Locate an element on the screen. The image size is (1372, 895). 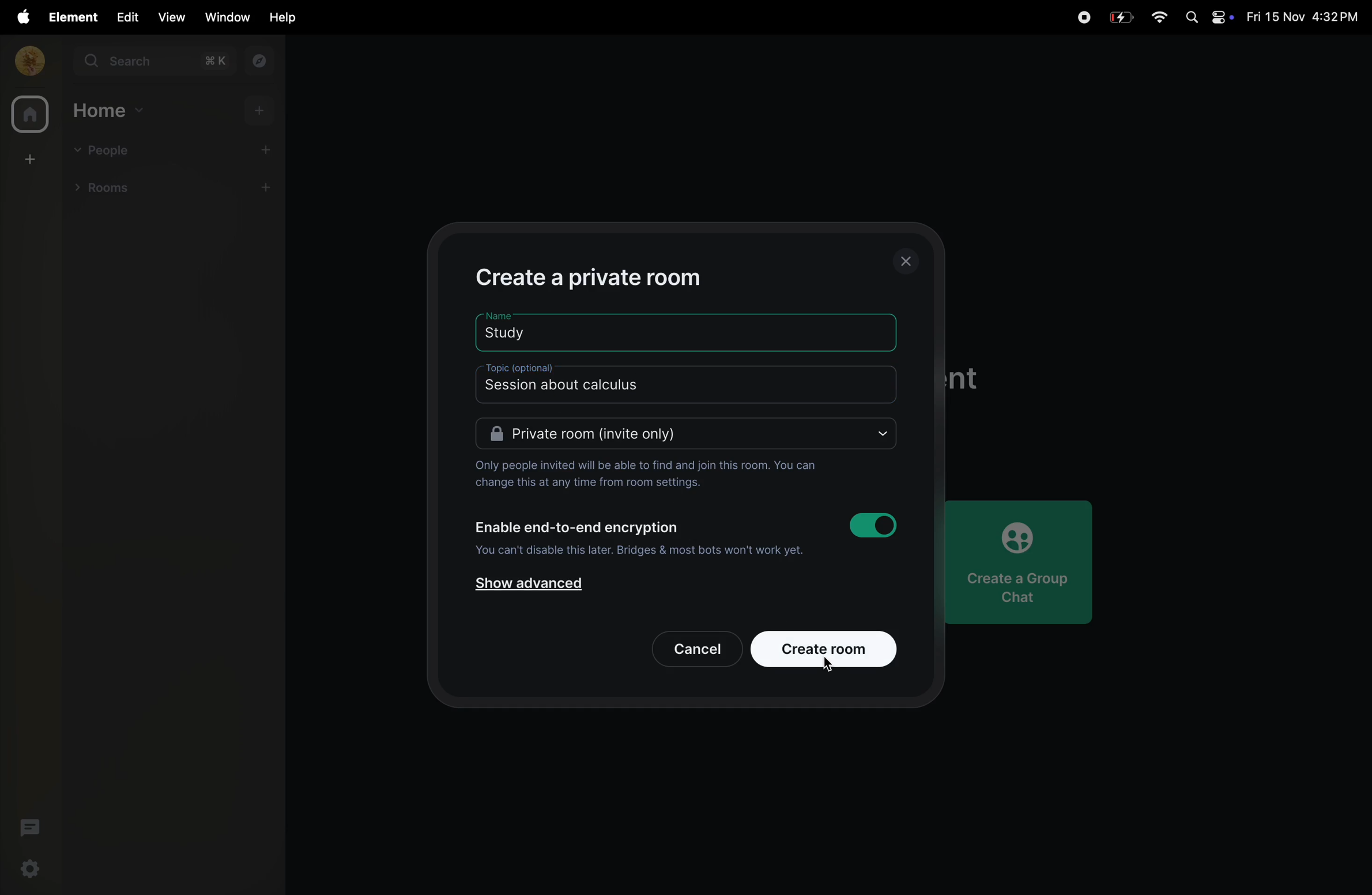
element is located at coordinates (68, 17).